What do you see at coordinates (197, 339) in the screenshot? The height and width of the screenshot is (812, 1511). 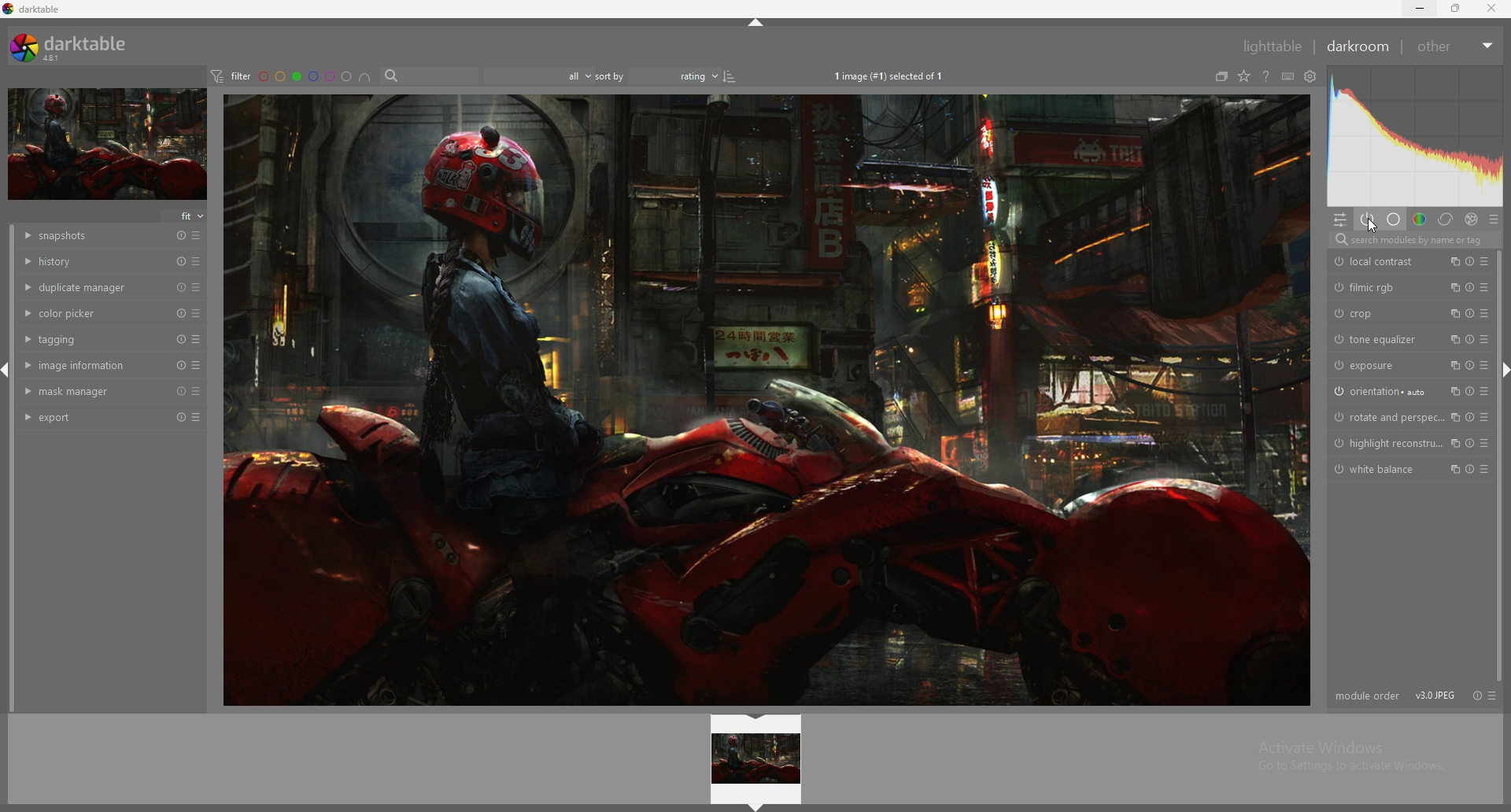 I see `presets` at bounding box center [197, 339].